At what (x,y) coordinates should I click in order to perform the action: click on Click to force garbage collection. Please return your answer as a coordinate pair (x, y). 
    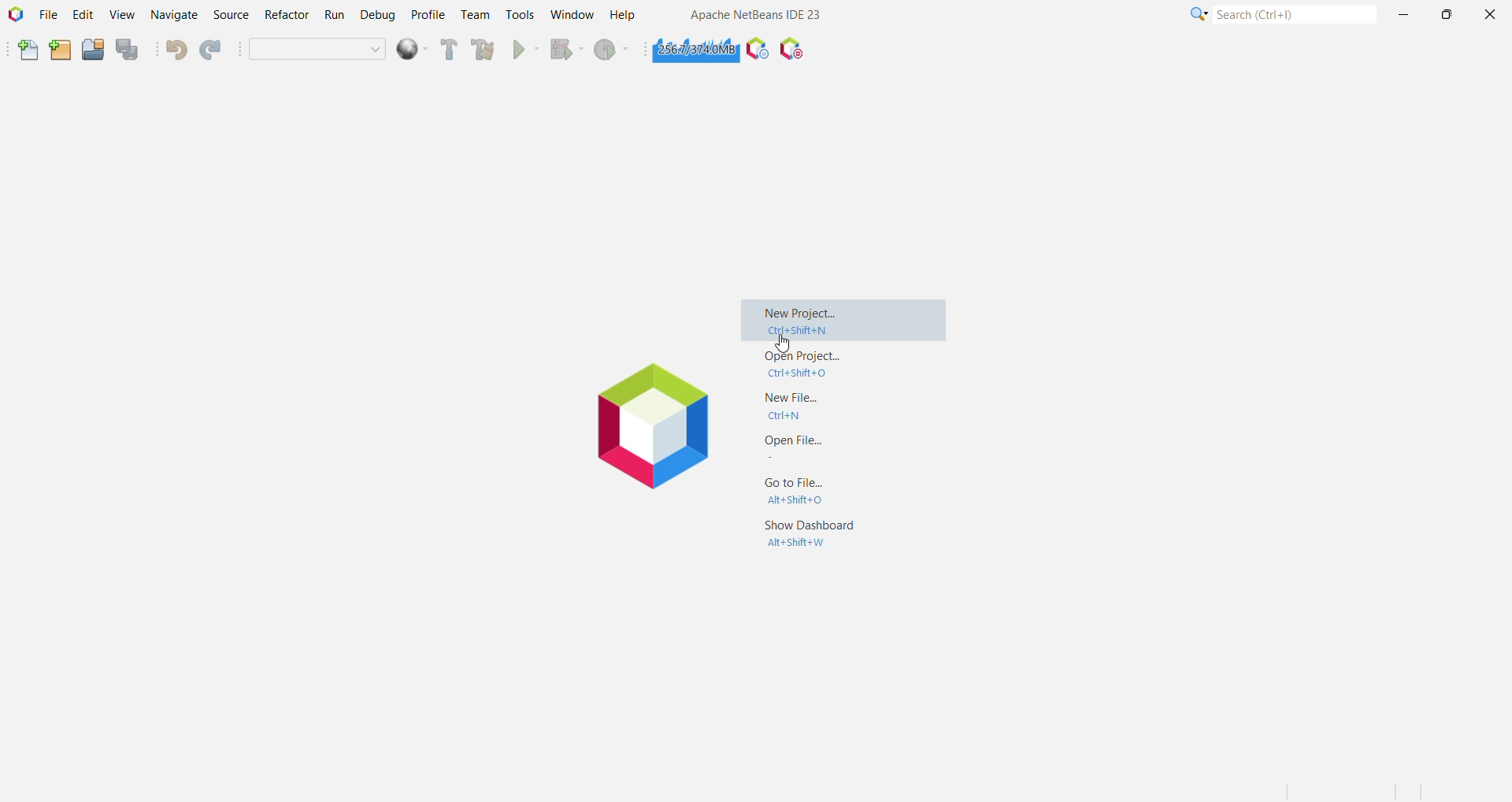
    Looking at the image, I should click on (692, 50).